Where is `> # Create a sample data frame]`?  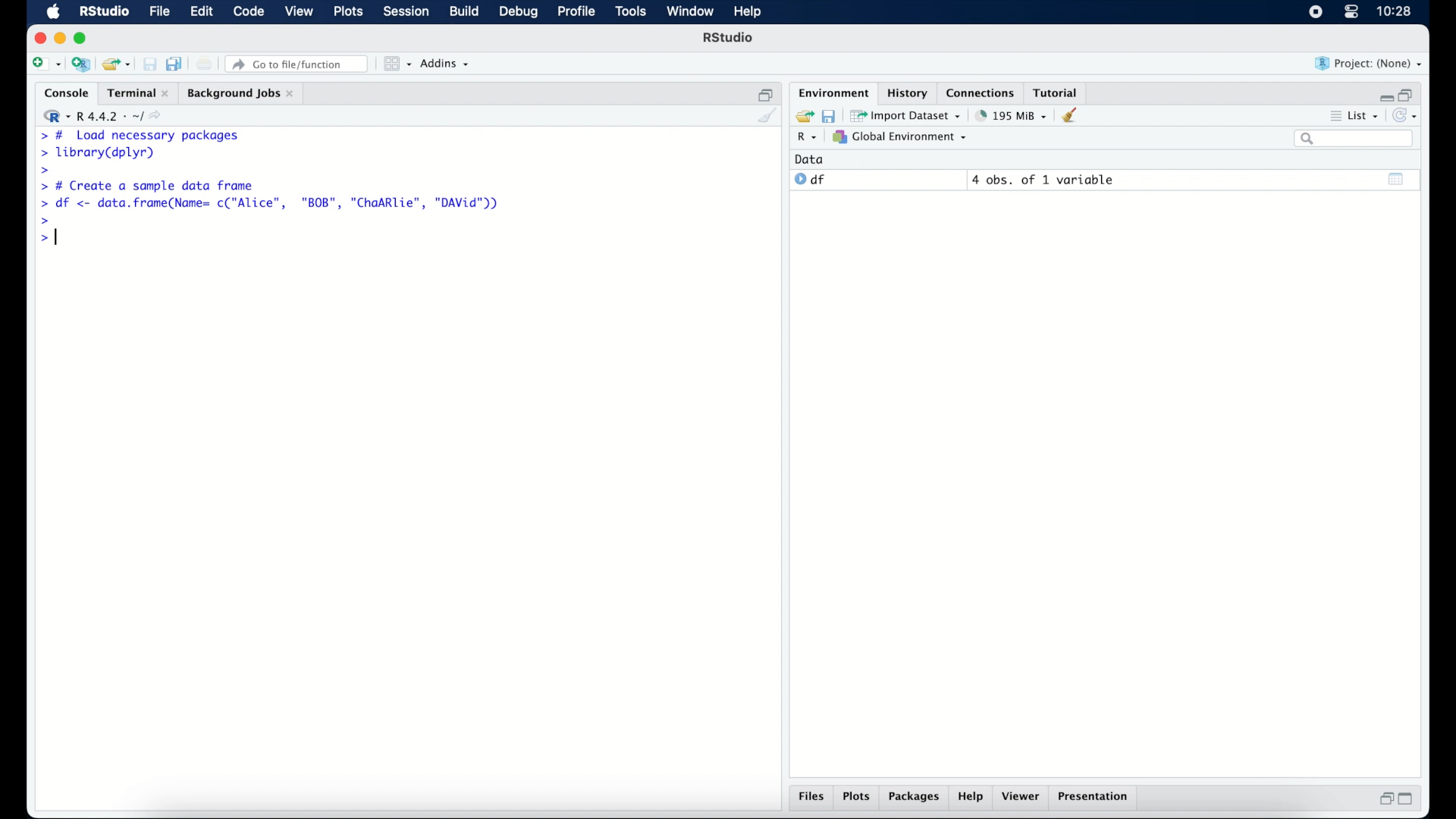
> # Create a sample data frame] is located at coordinates (150, 185).